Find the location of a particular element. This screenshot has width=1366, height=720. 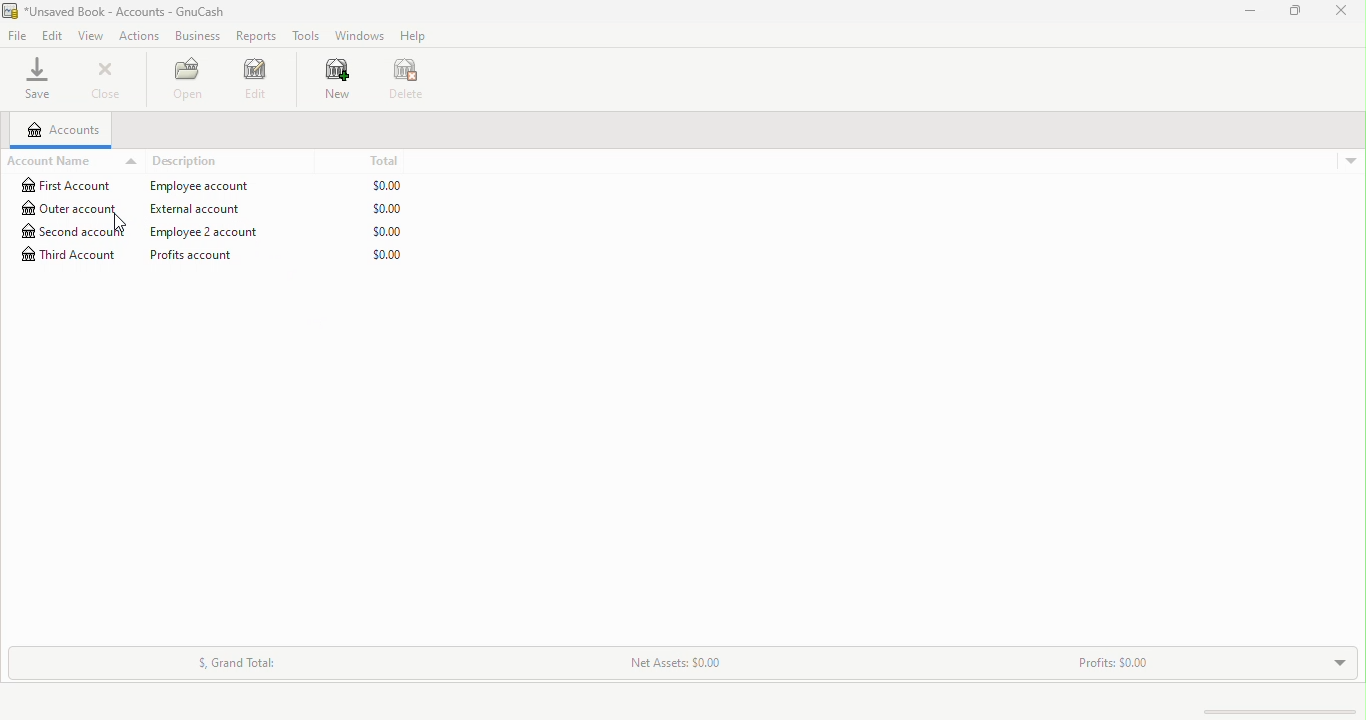

Grand total is located at coordinates (232, 661).